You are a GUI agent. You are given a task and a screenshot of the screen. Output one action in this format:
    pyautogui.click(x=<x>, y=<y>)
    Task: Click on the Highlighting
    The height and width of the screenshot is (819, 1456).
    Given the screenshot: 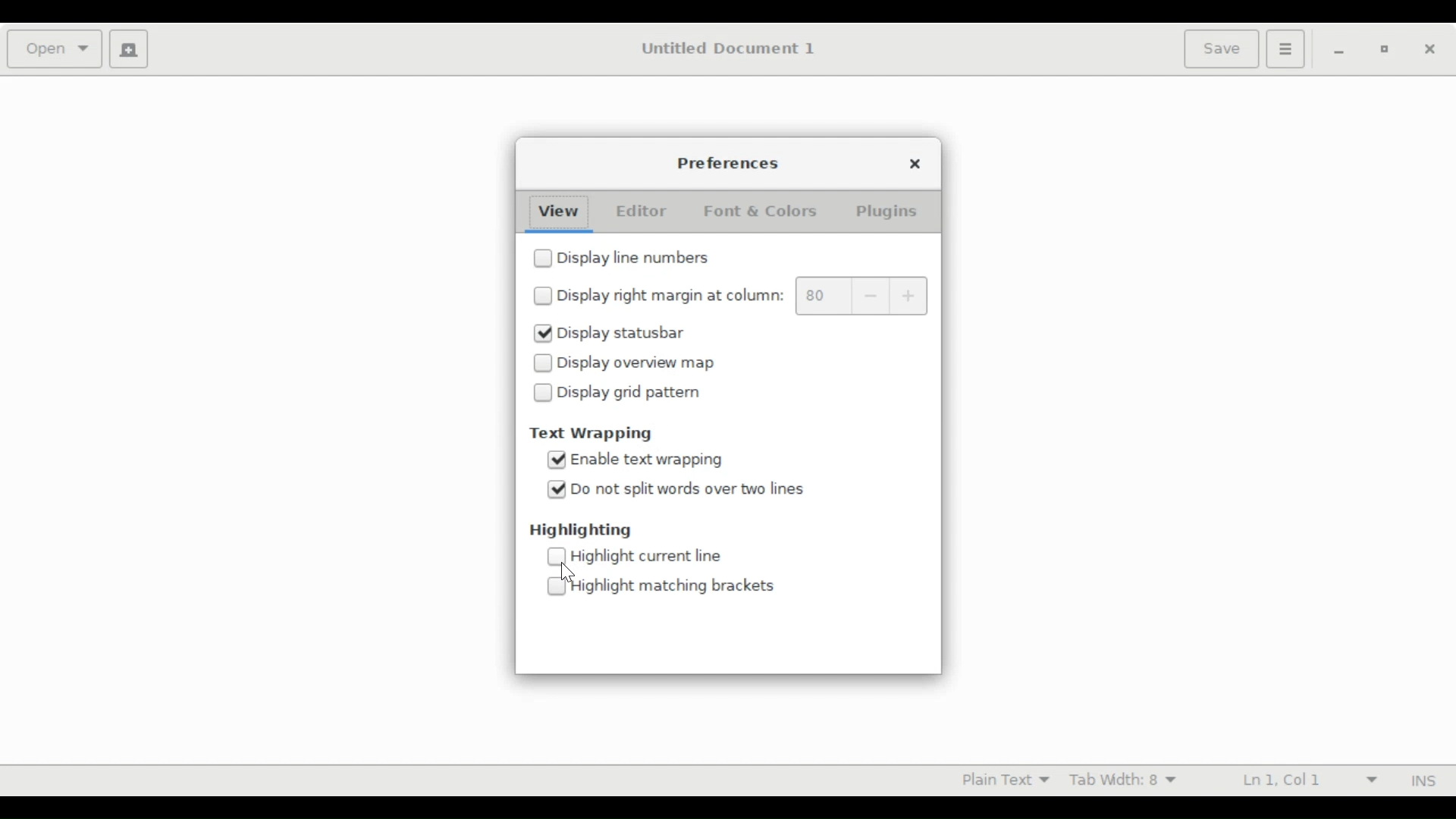 What is the action you would take?
    pyautogui.click(x=581, y=530)
    